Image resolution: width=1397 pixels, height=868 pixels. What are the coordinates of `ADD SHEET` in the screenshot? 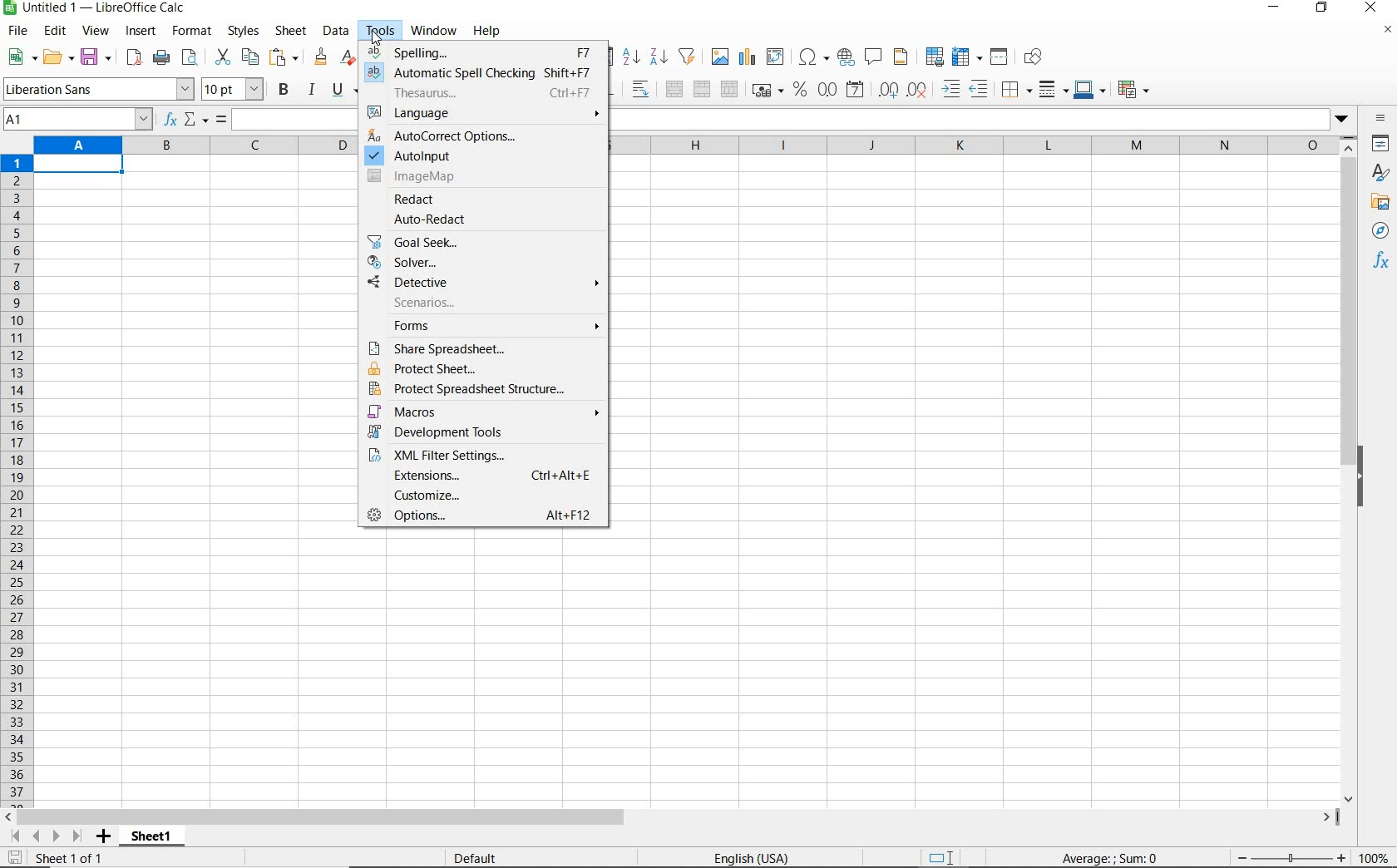 It's located at (103, 836).